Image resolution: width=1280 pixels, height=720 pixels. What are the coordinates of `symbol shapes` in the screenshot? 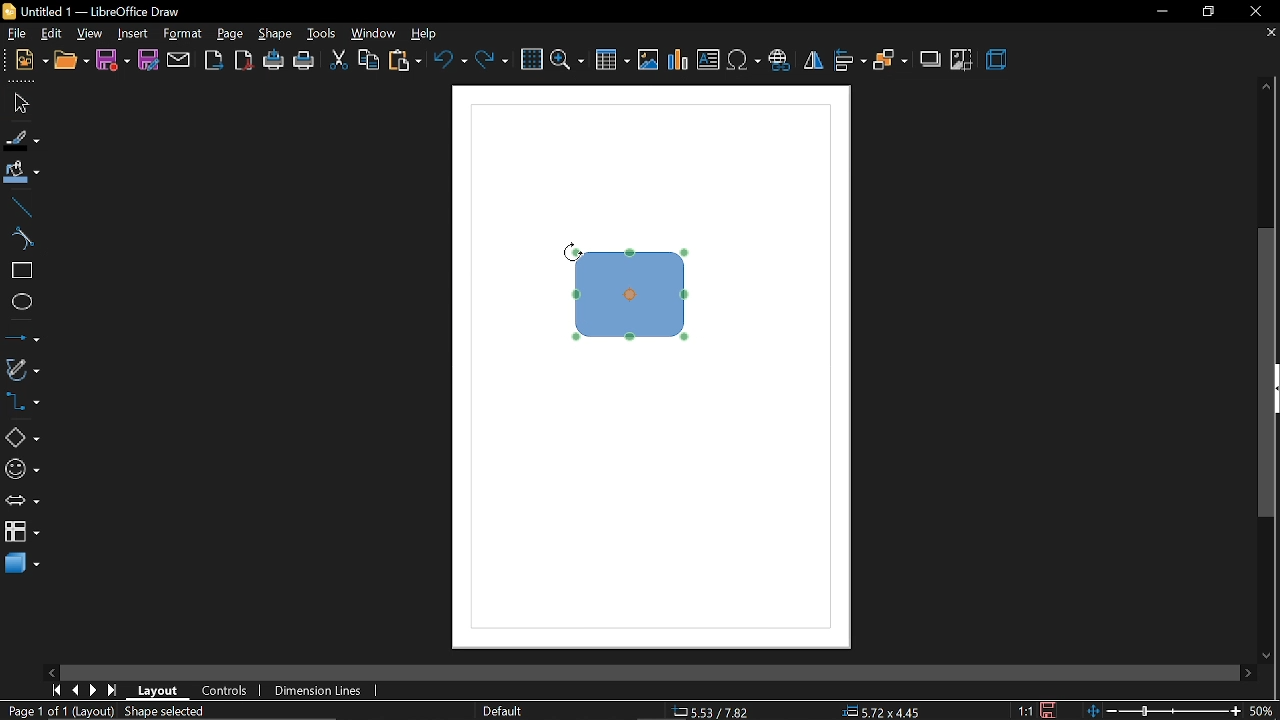 It's located at (21, 469).